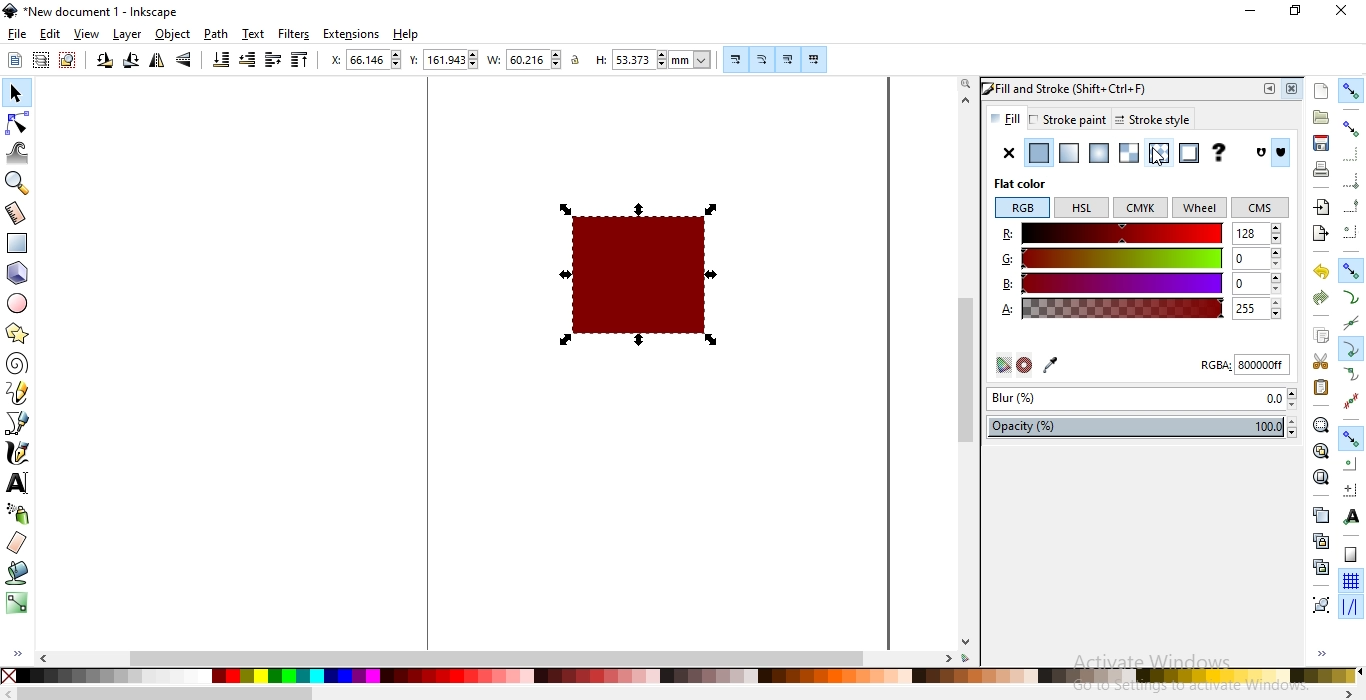 The height and width of the screenshot is (700, 1366). Describe the element at coordinates (1294, 9) in the screenshot. I see `restore down` at that location.